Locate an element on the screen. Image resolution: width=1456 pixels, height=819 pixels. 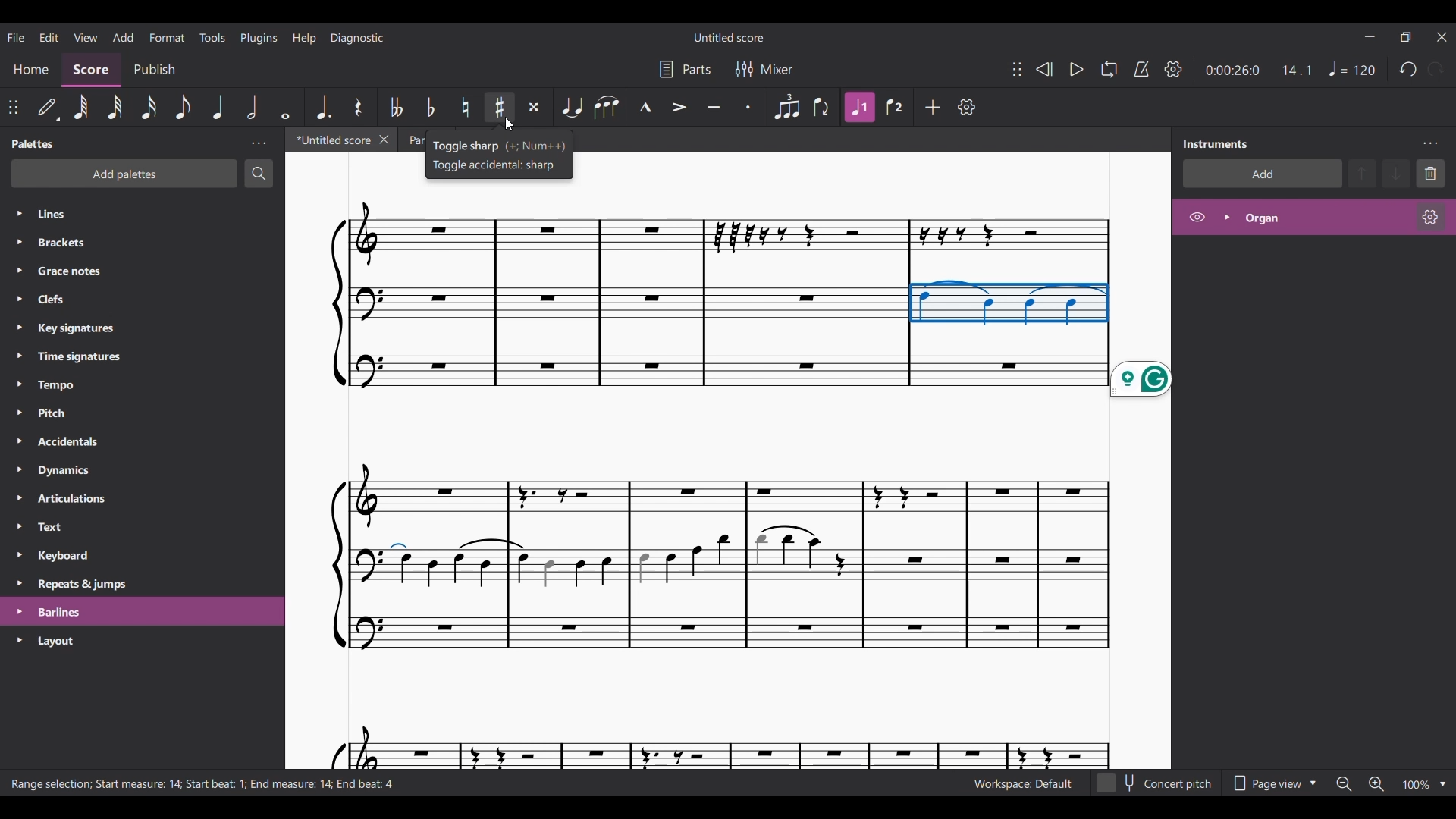
Parts settings is located at coordinates (685, 70).